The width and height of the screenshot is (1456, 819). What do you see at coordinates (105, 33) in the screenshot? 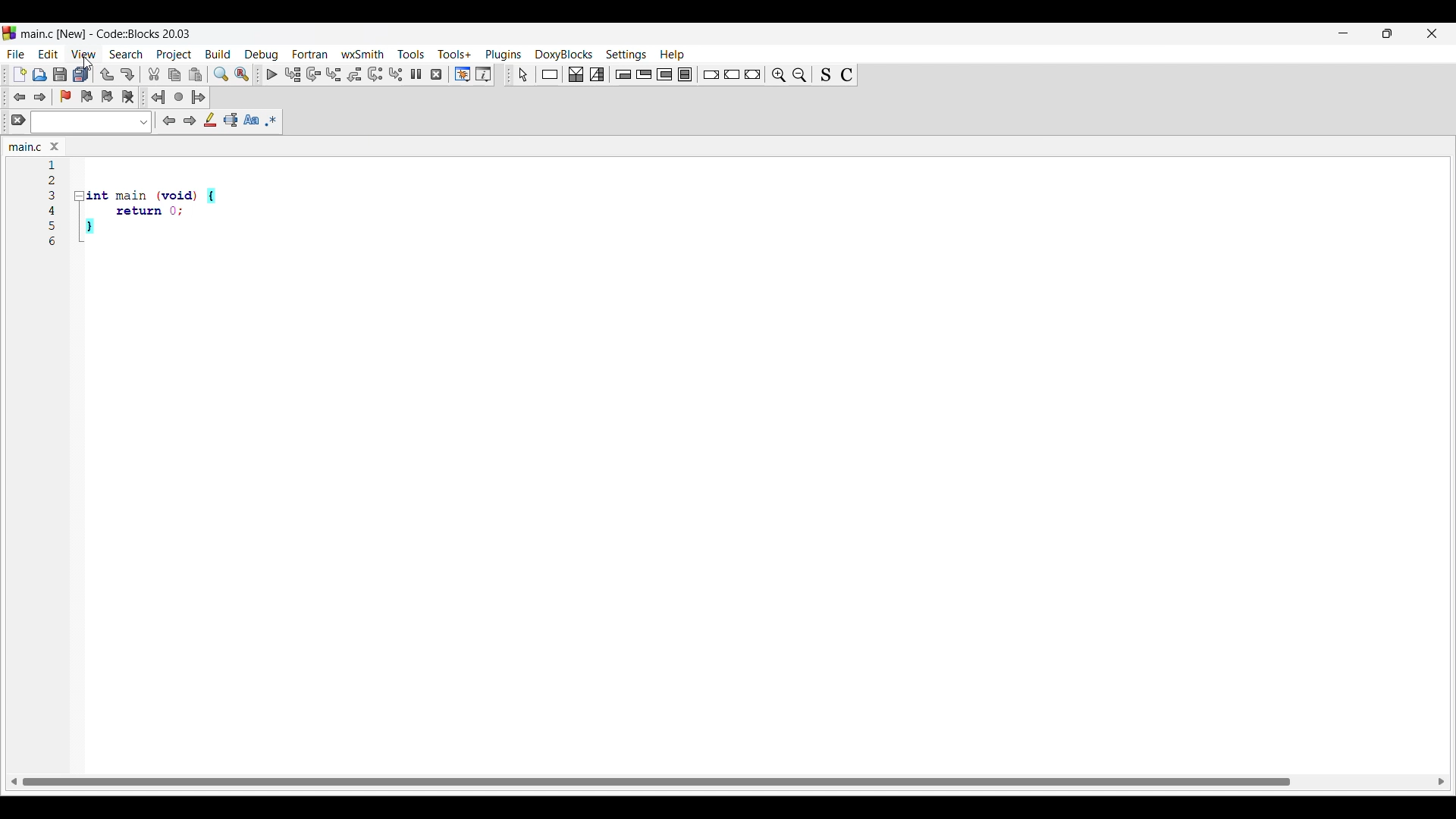
I see `Project name, software name and version` at bounding box center [105, 33].